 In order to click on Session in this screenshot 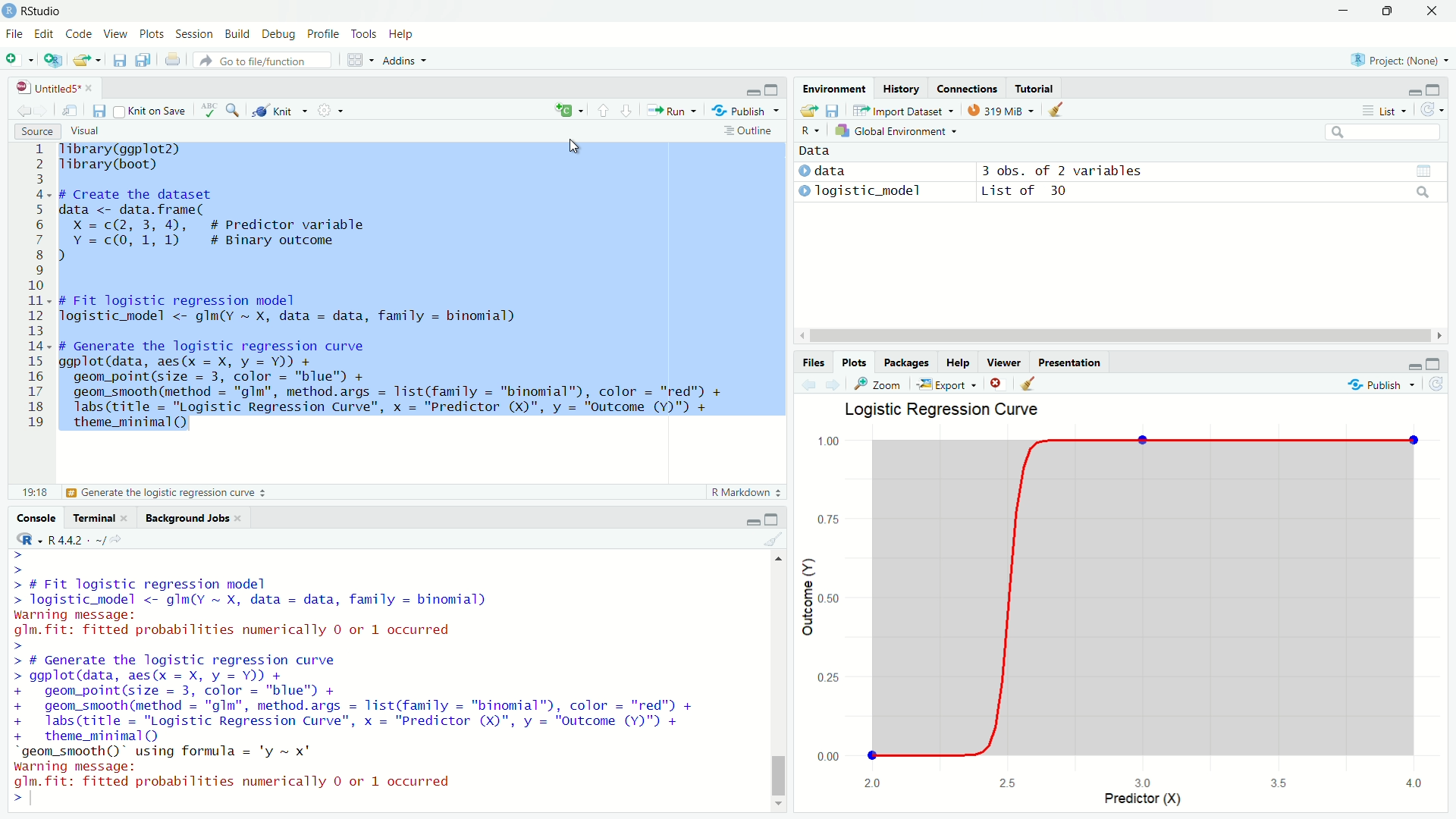, I will do `click(195, 34)`.